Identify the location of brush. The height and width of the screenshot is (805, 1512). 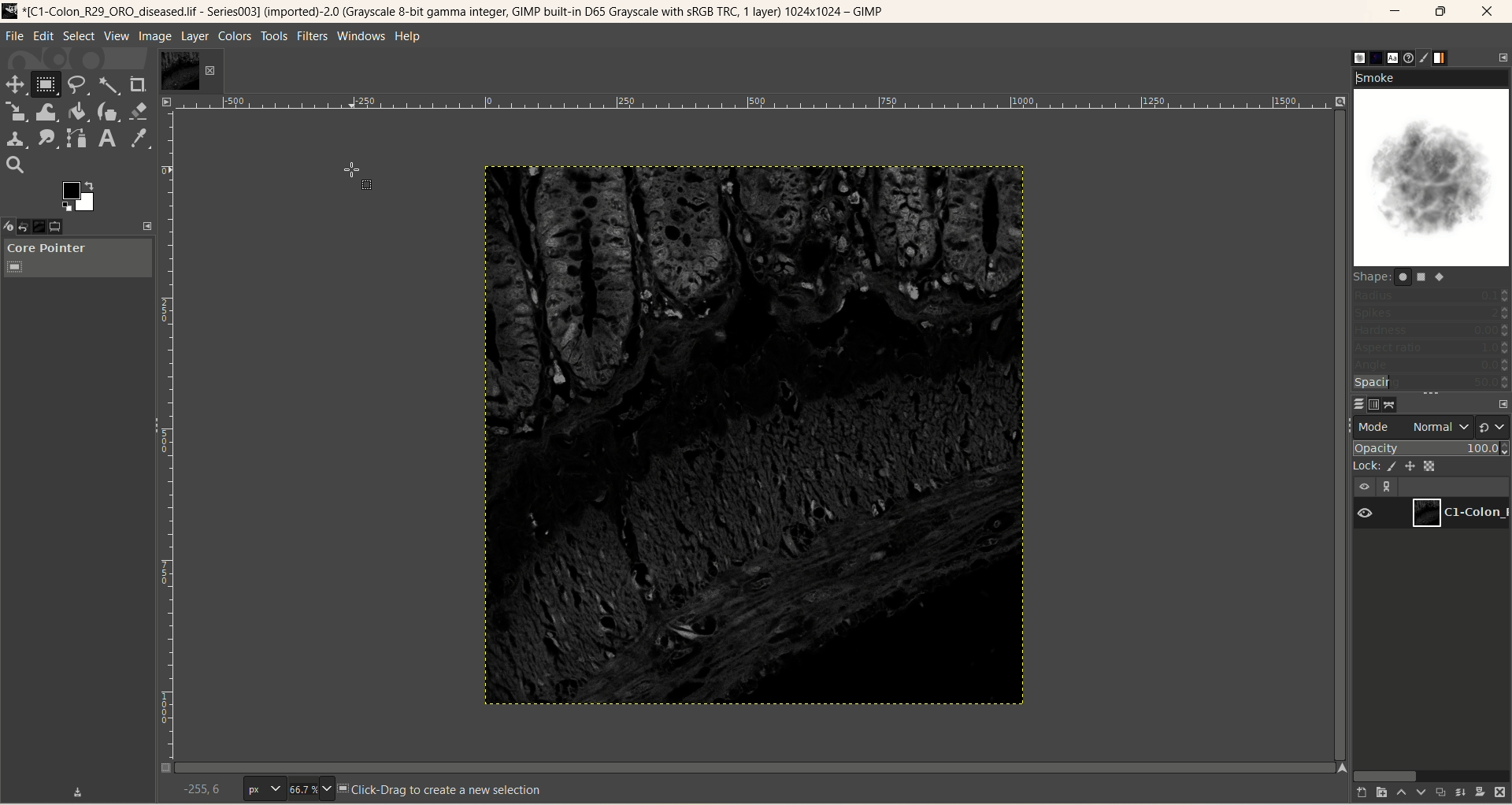
(1359, 58).